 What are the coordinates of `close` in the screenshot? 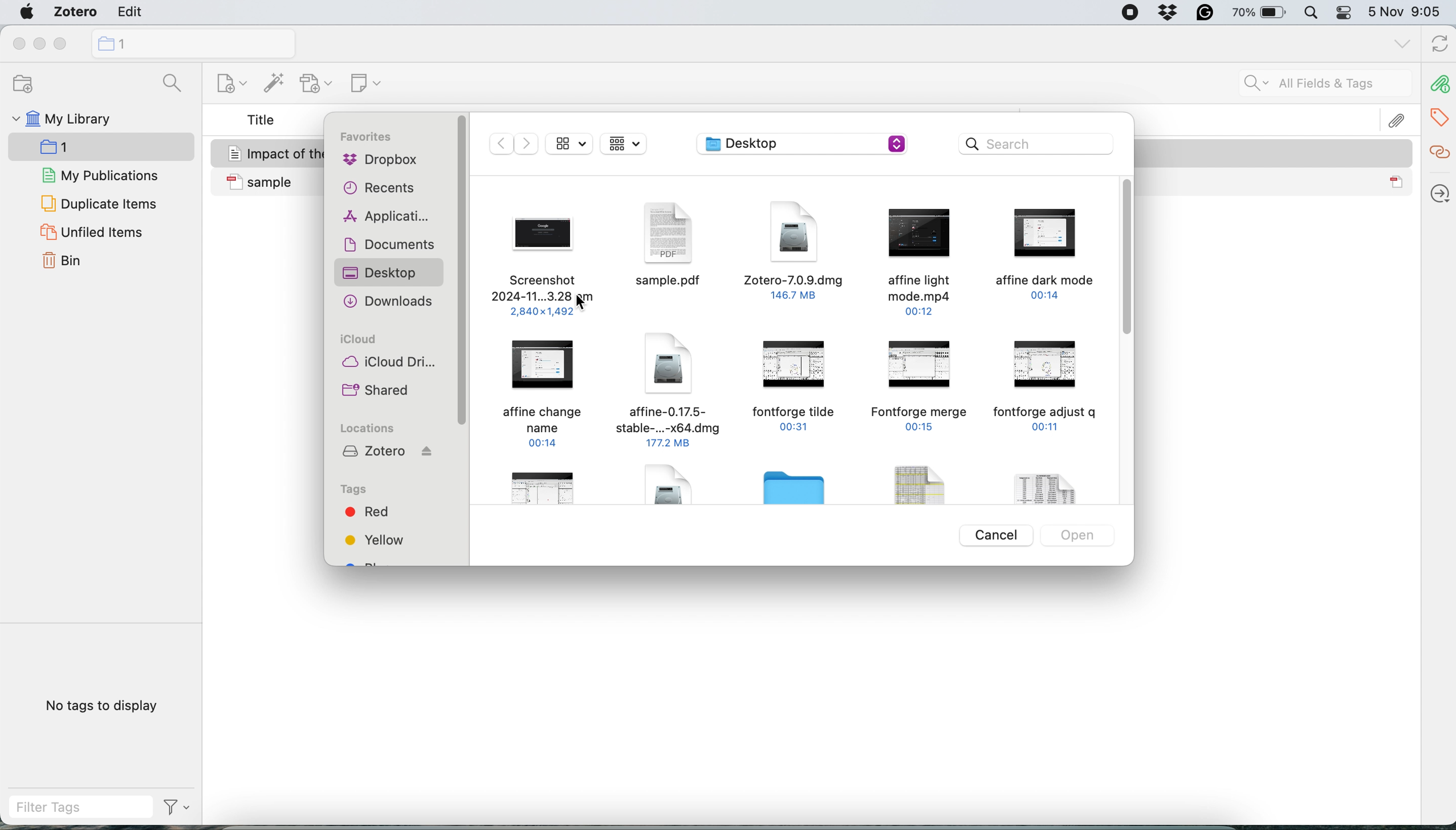 It's located at (18, 44).